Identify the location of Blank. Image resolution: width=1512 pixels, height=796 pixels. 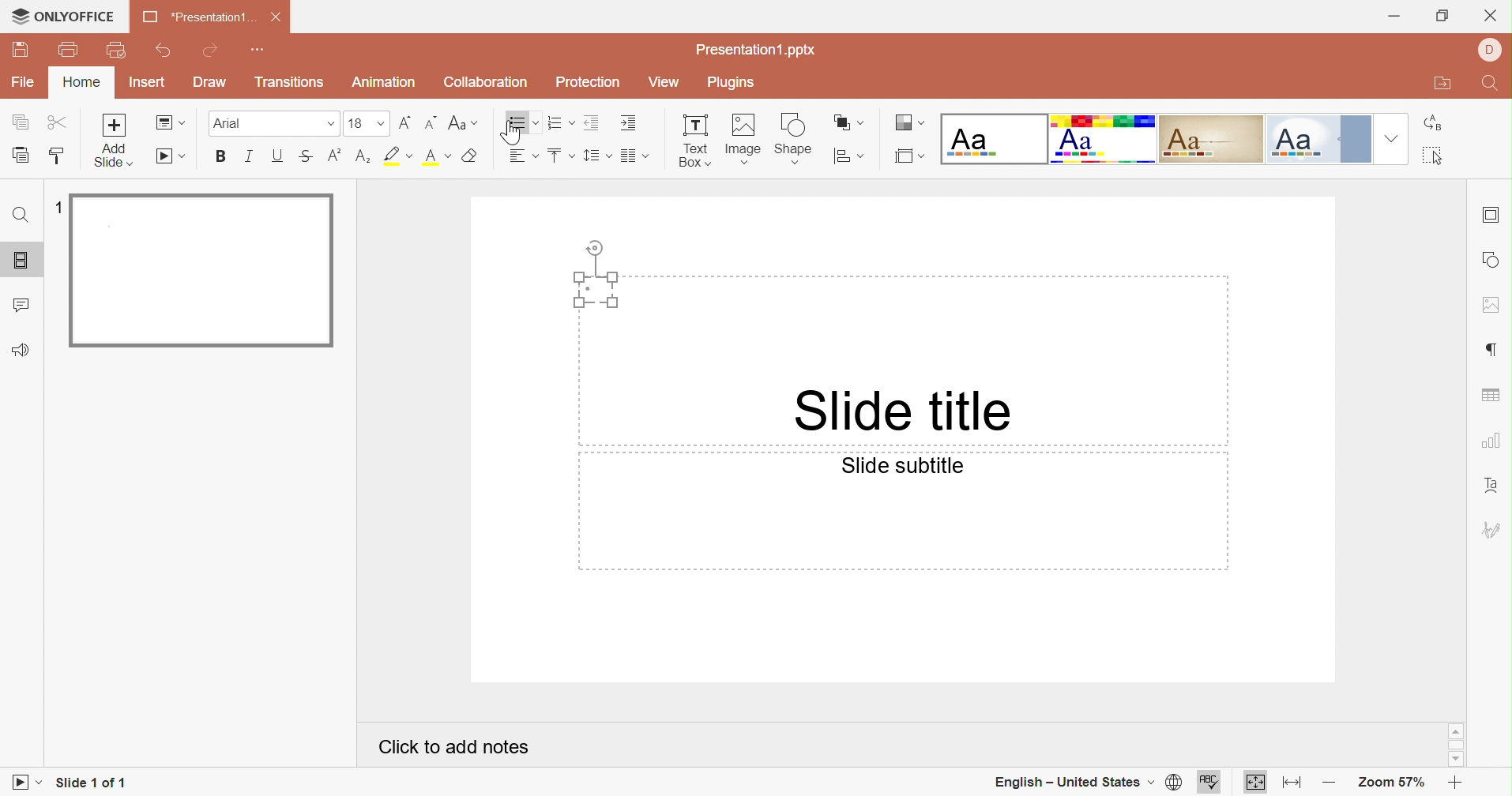
(995, 139).